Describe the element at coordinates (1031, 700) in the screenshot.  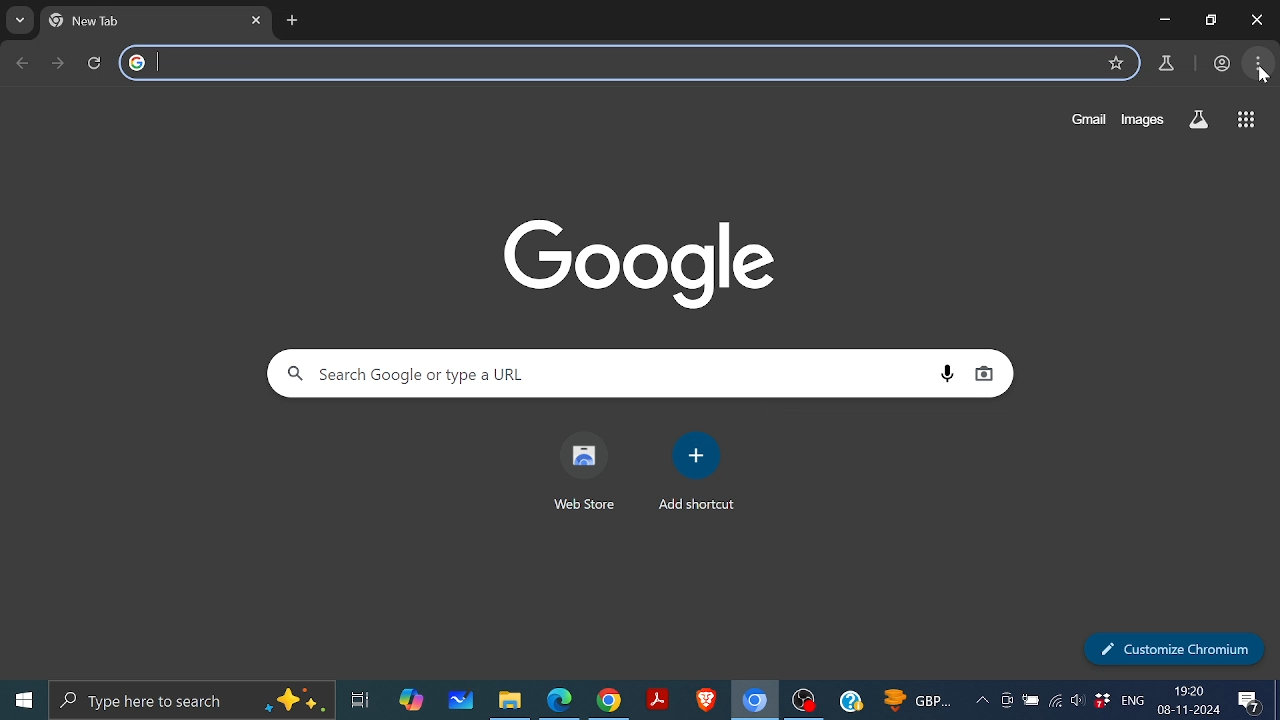
I see `Battery` at that location.